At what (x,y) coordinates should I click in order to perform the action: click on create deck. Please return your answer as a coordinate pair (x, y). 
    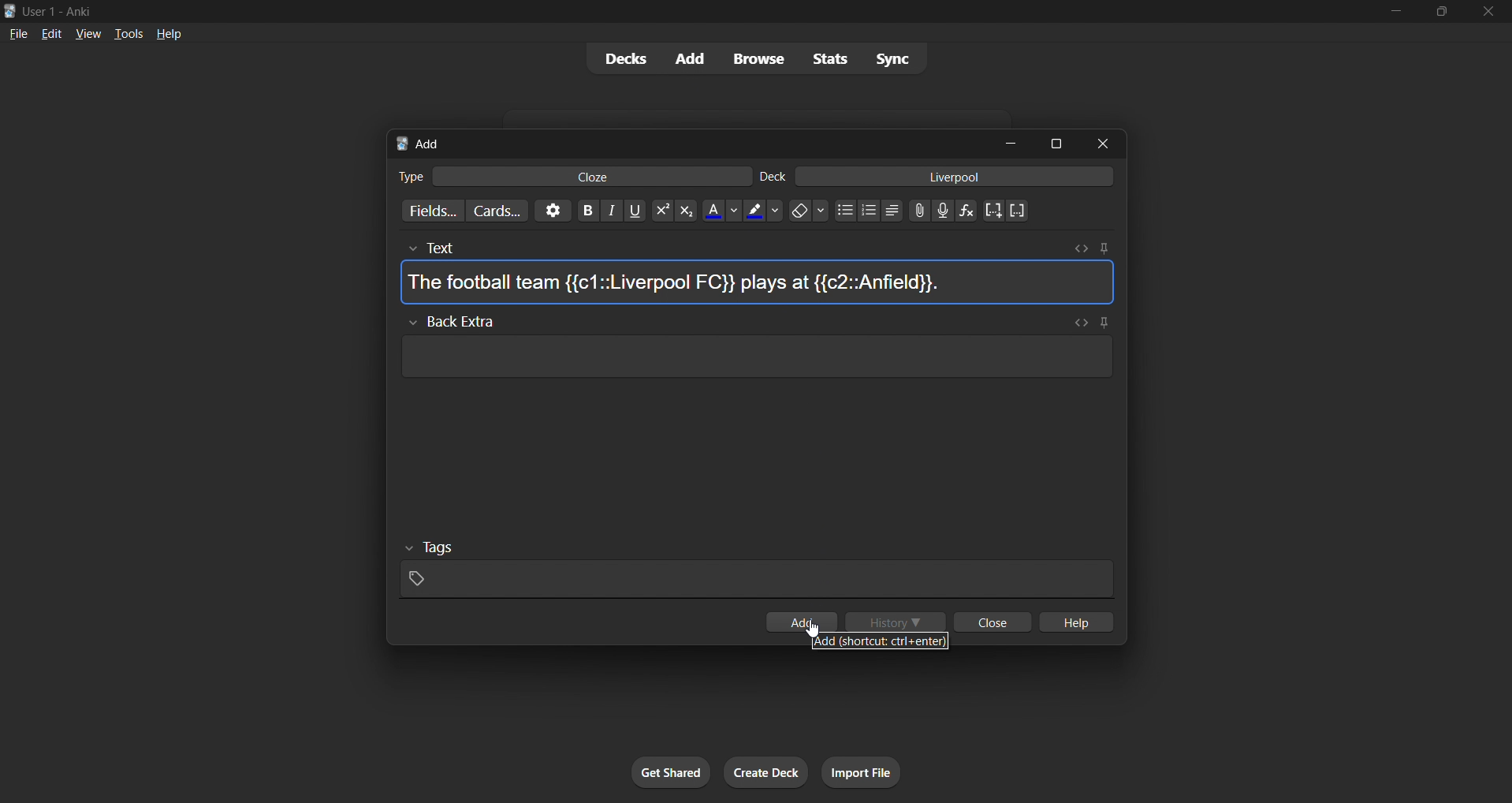
    Looking at the image, I should click on (764, 772).